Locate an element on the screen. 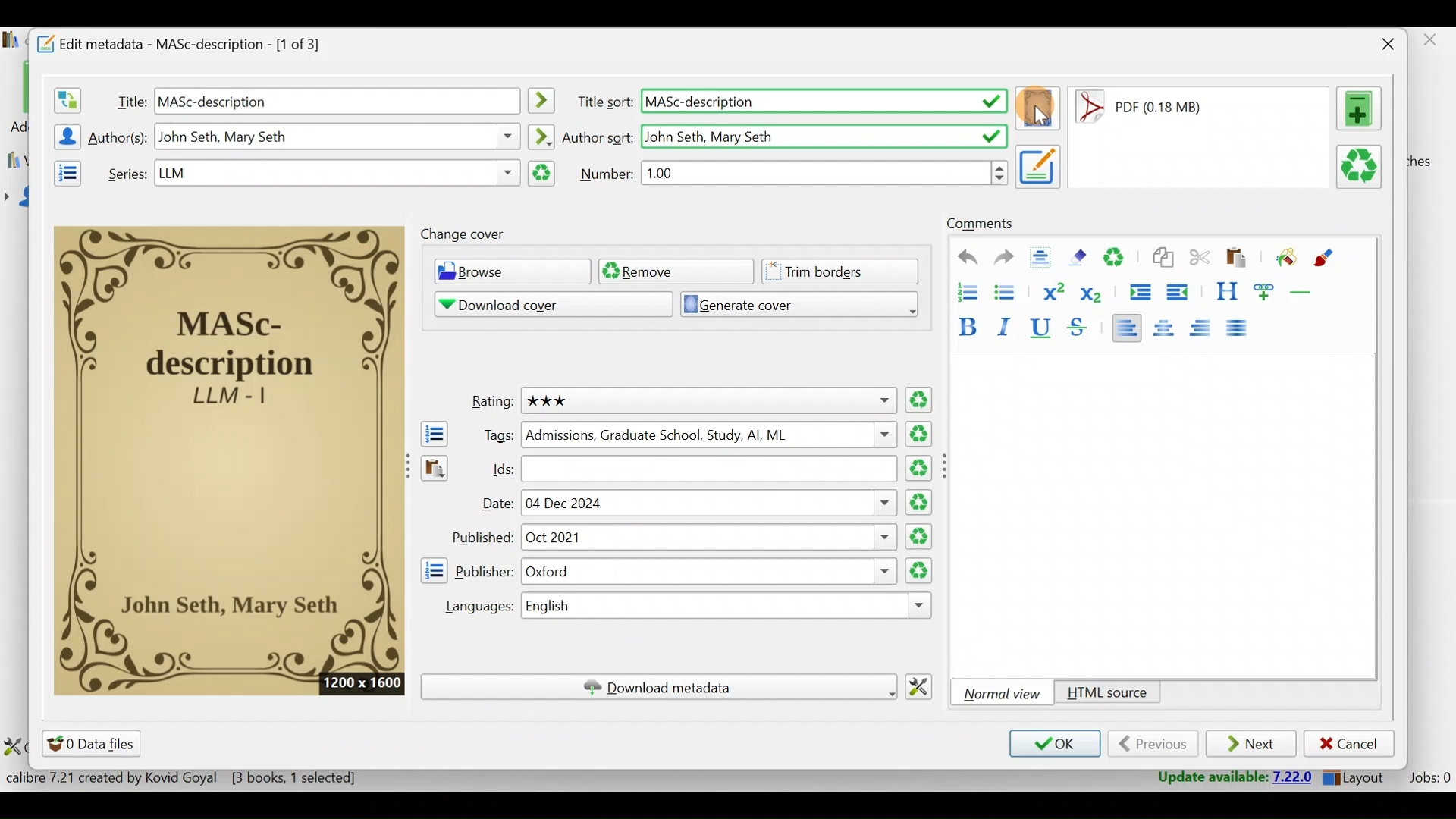 The width and height of the screenshot is (1456, 819). Update is located at coordinates (1230, 778).